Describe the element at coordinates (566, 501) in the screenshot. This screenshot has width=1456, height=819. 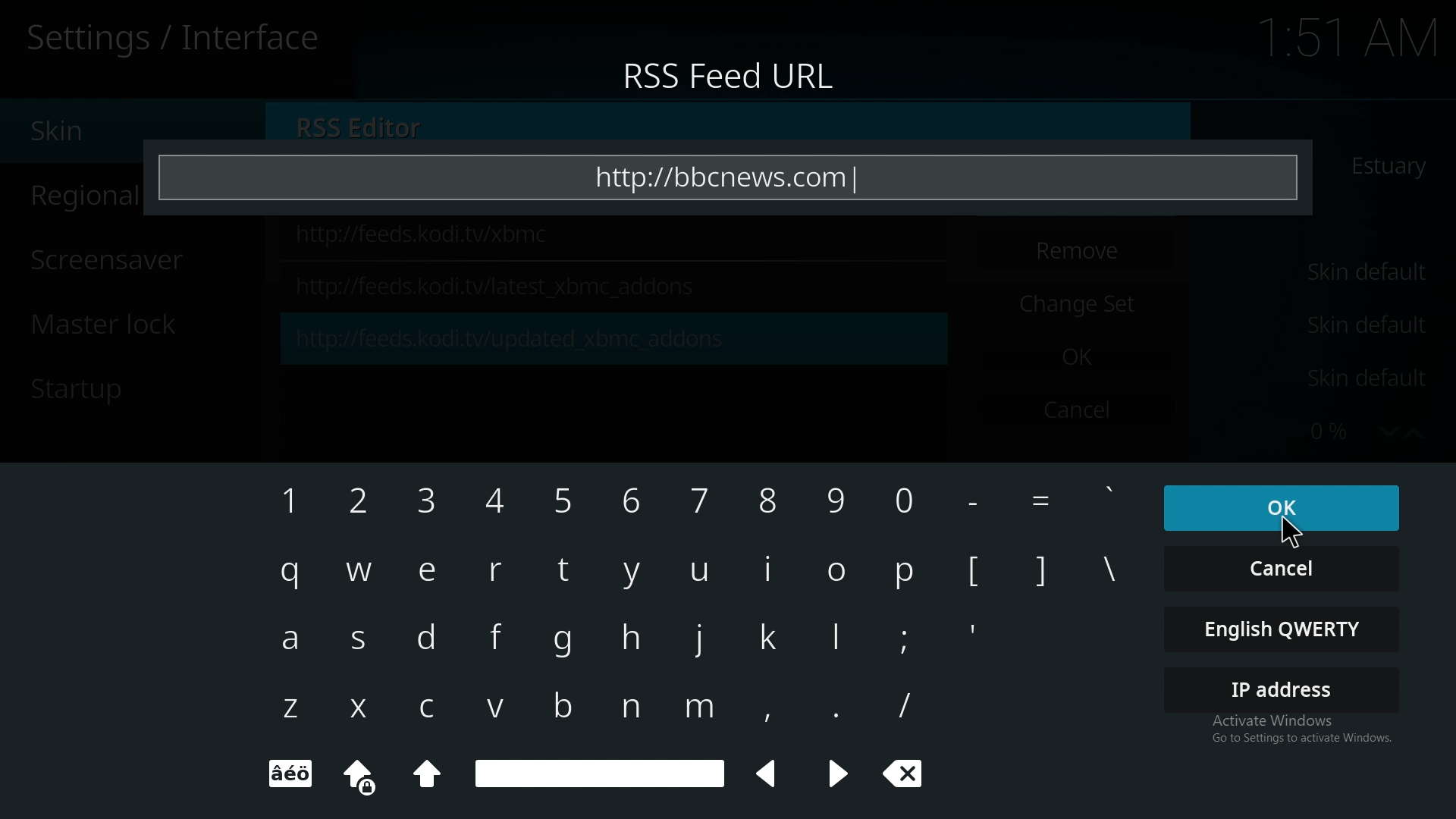
I see `keyboard Input` at that location.